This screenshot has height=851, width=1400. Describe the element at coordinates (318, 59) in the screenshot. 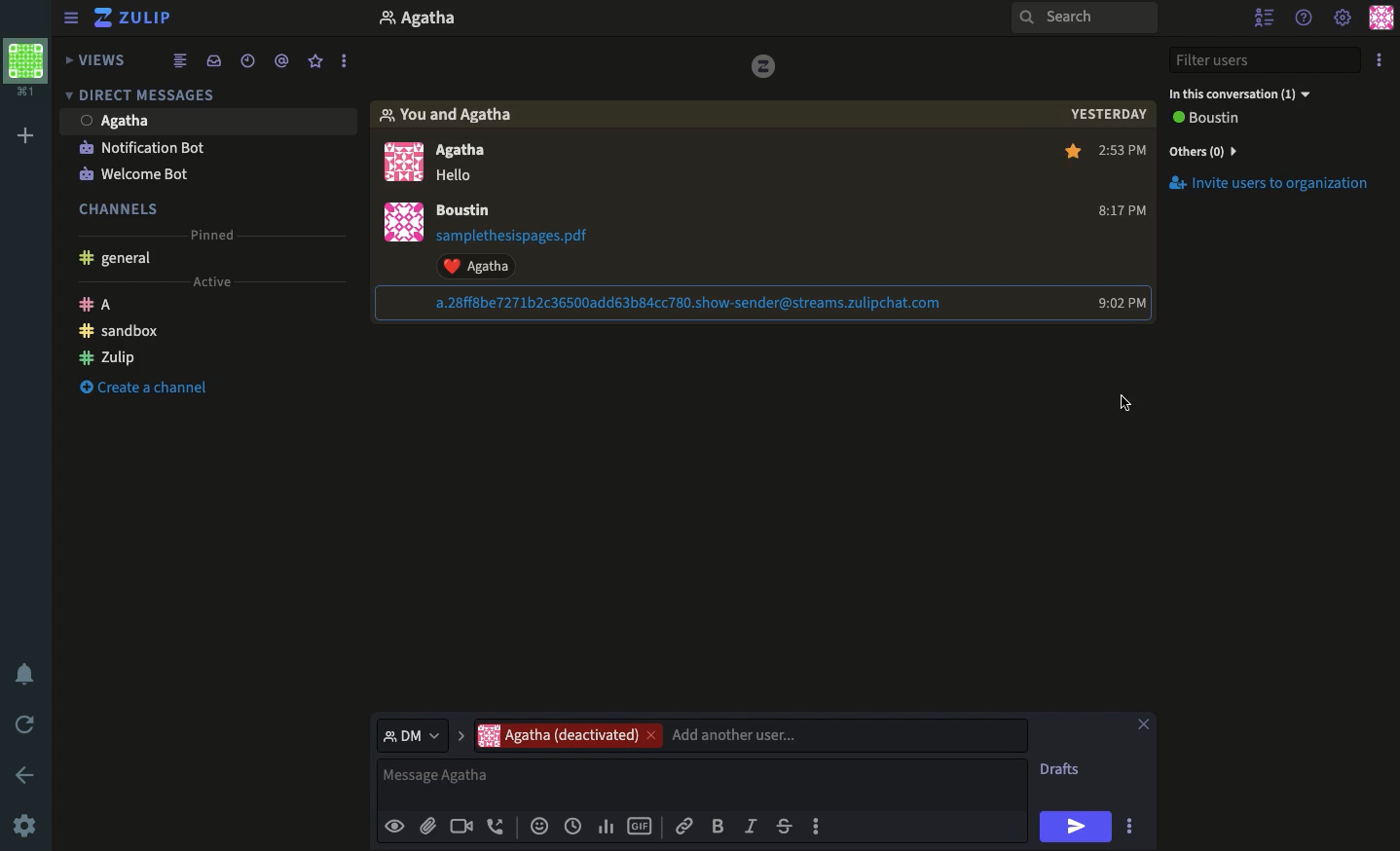

I see `Favorites` at that location.